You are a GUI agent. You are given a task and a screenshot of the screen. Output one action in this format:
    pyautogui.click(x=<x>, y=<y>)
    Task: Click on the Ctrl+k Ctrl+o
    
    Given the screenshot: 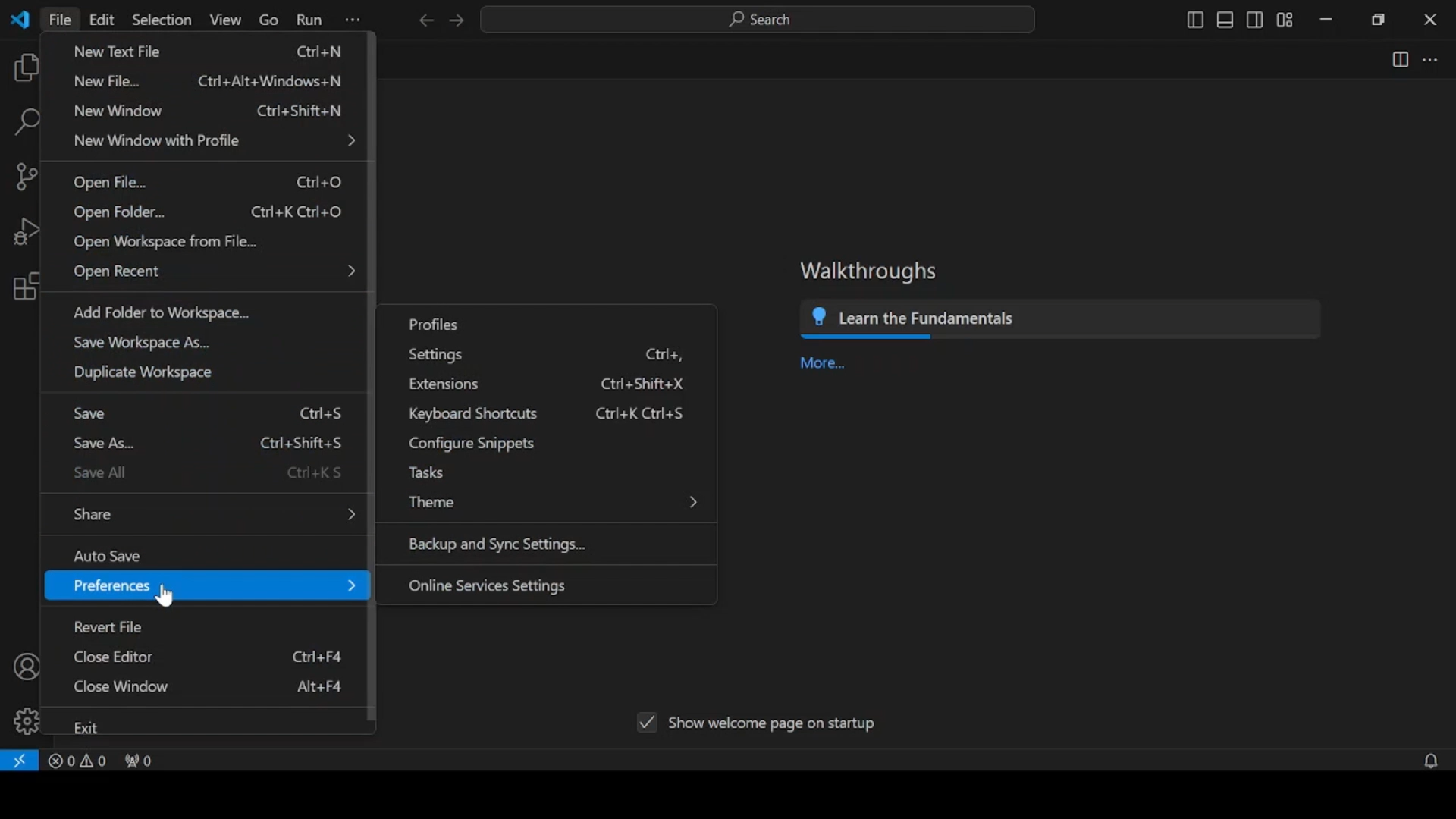 What is the action you would take?
    pyautogui.click(x=298, y=212)
    